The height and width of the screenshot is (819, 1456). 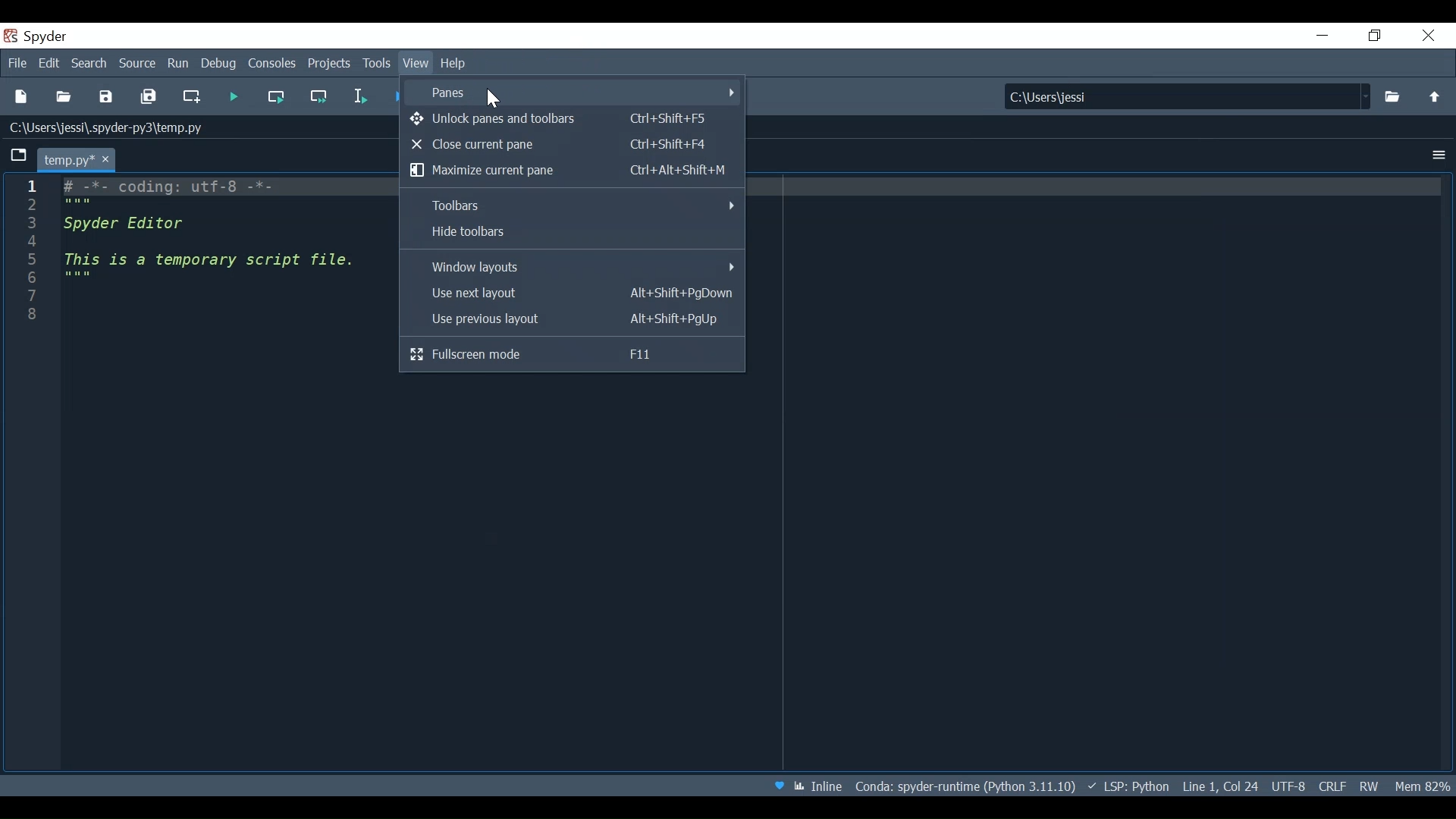 I want to click on Run current cell , so click(x=277, y=96).